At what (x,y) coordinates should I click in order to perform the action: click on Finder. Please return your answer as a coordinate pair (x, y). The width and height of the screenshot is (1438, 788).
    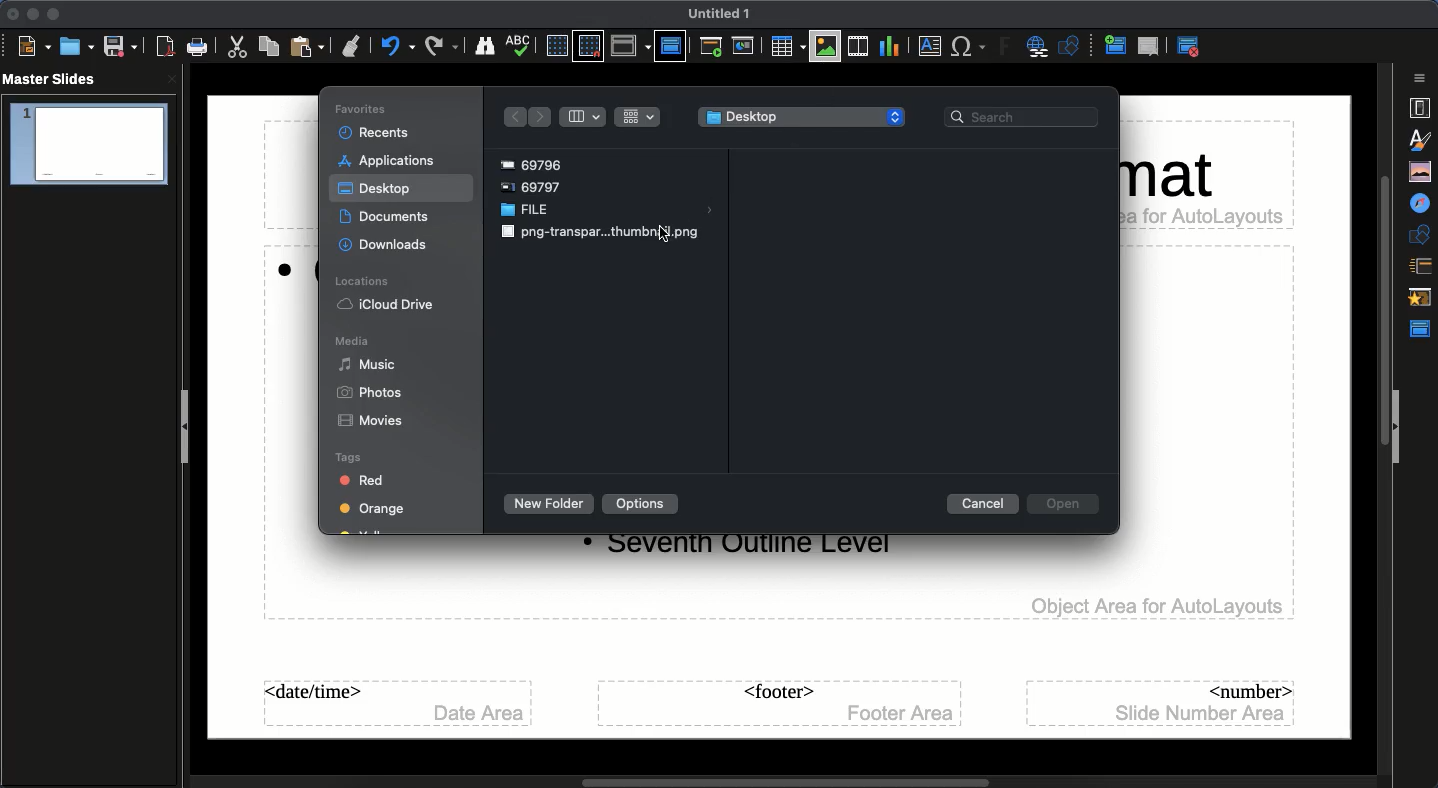
    Looking at the image, I should click on (485, 47).